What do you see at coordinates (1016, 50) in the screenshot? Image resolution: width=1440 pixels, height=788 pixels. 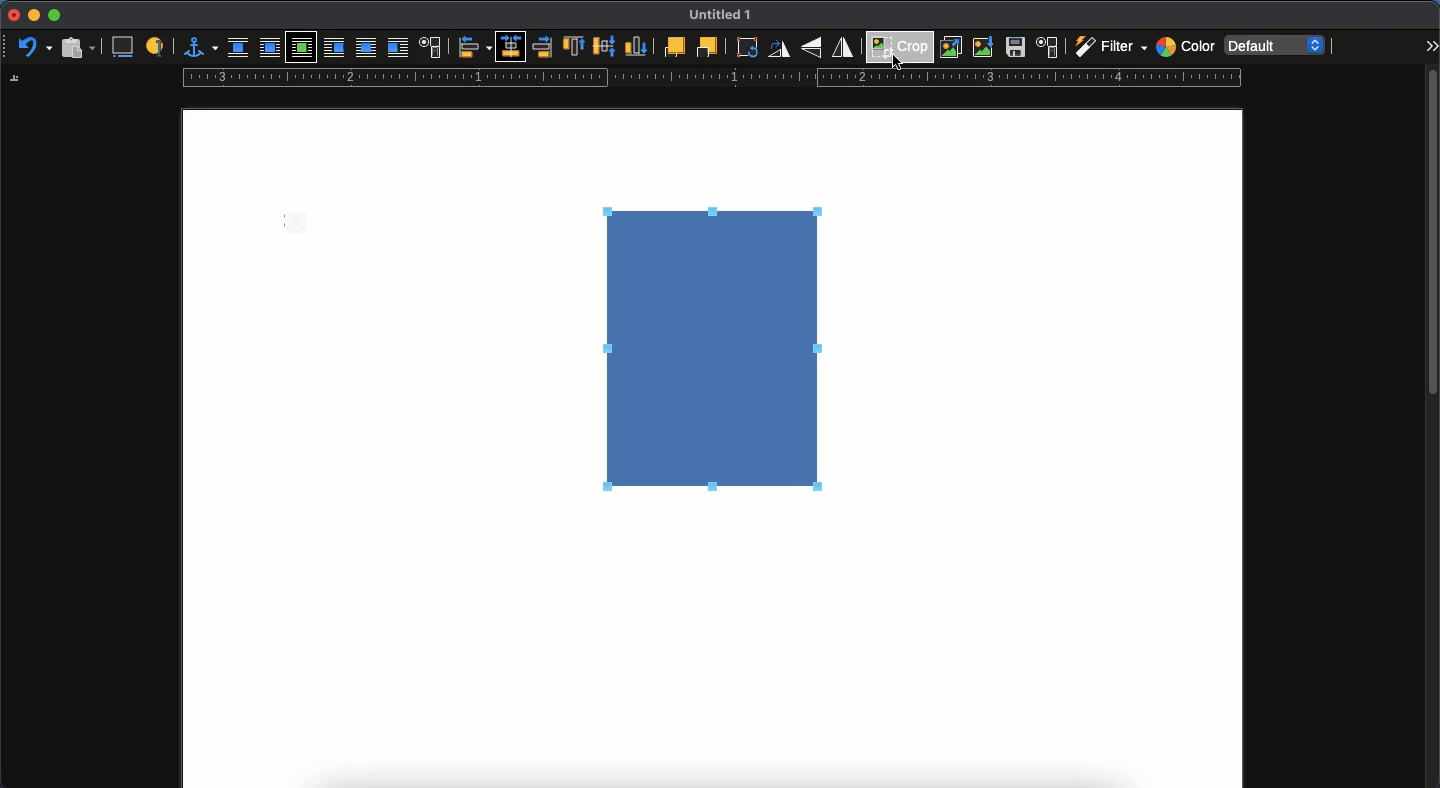 I see `save` at bounding box center [1016, 50].